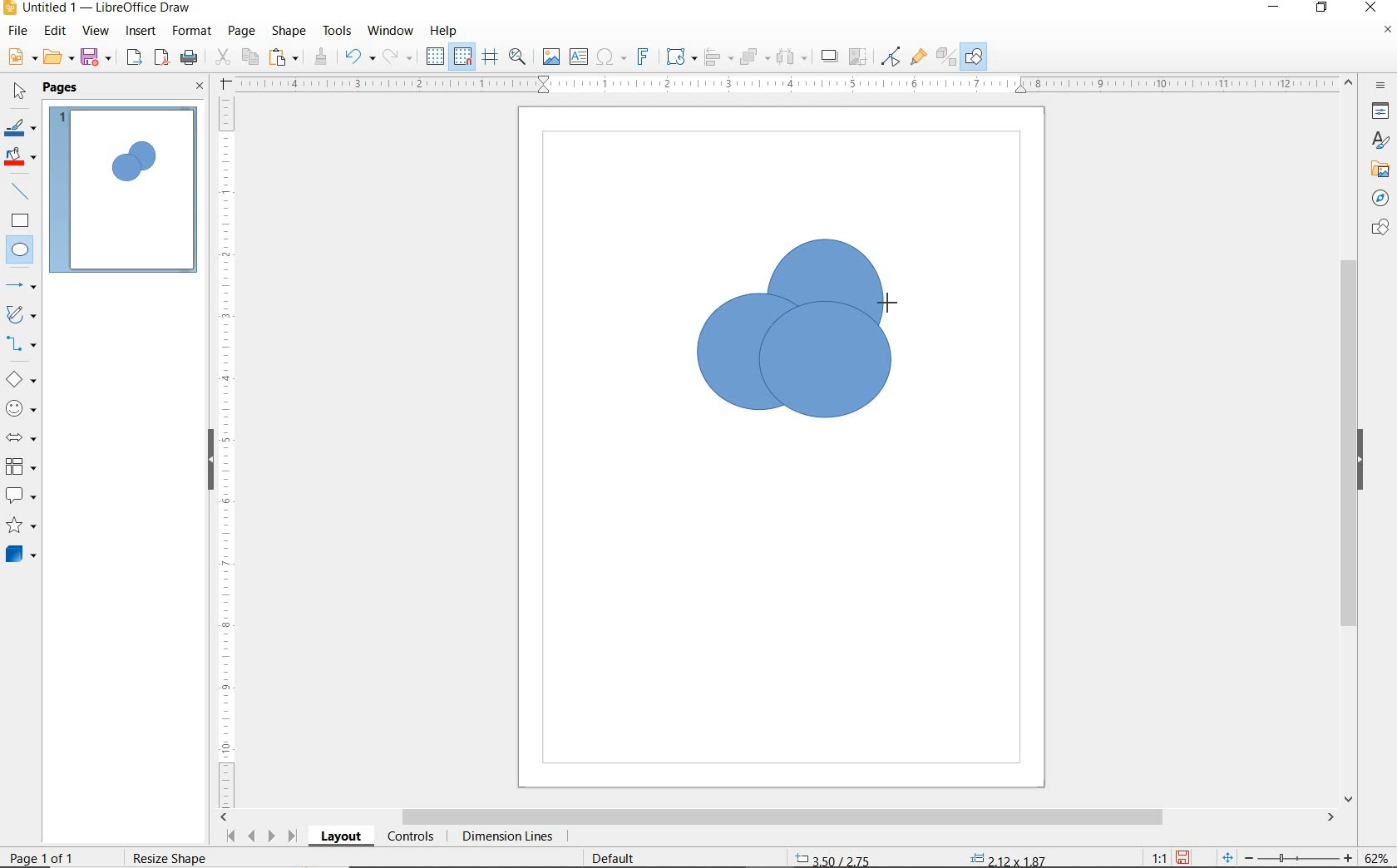 Image resolution: width=1397 pixels, height=868 pixels. What do you see at coordinates (56, 31) in the screenshot?
I see `EDIT` at bounding box center [56, 31].